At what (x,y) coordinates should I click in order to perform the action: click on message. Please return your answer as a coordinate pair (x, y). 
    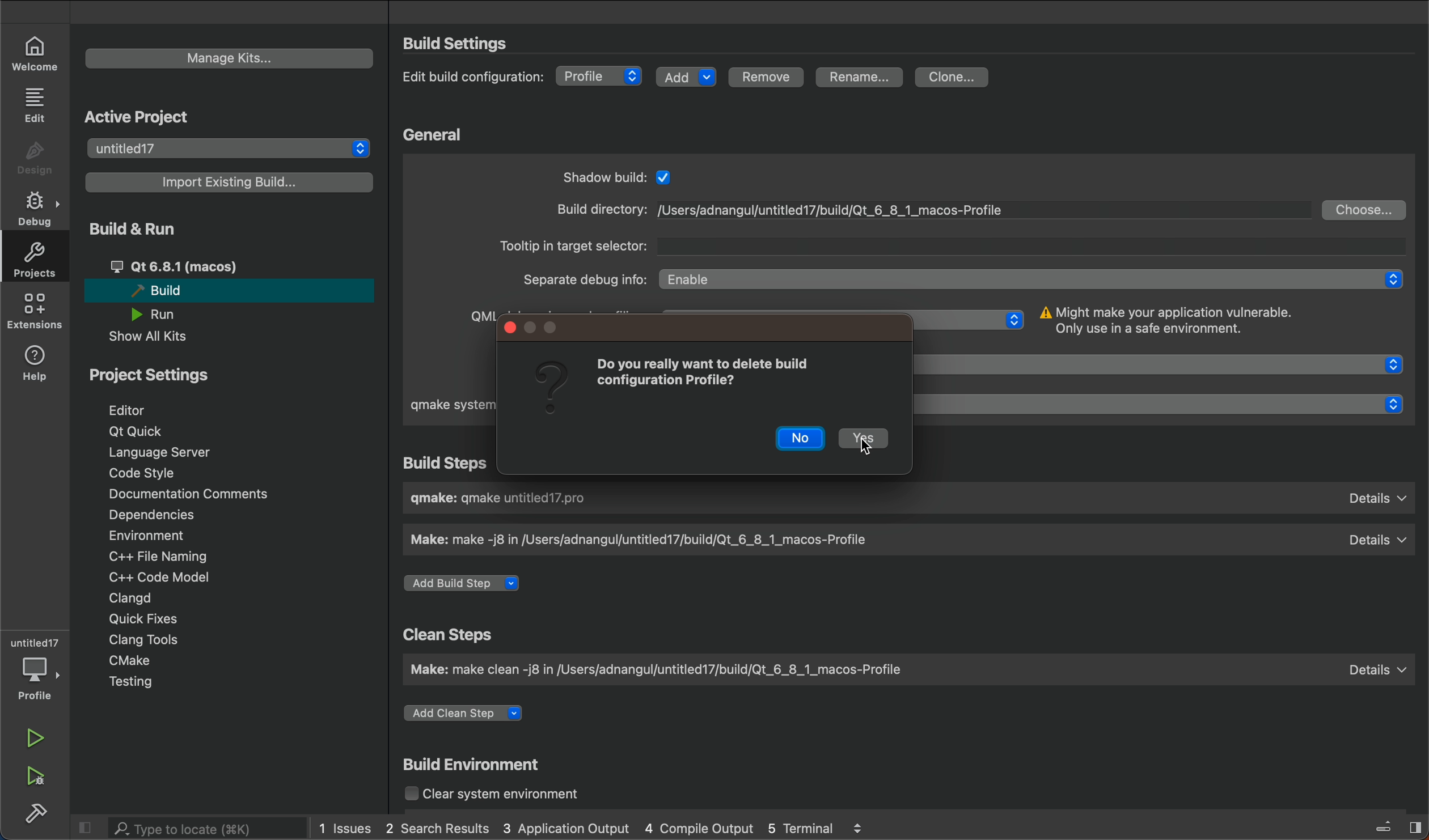
    Looking at the image, I should click on (708, 371).